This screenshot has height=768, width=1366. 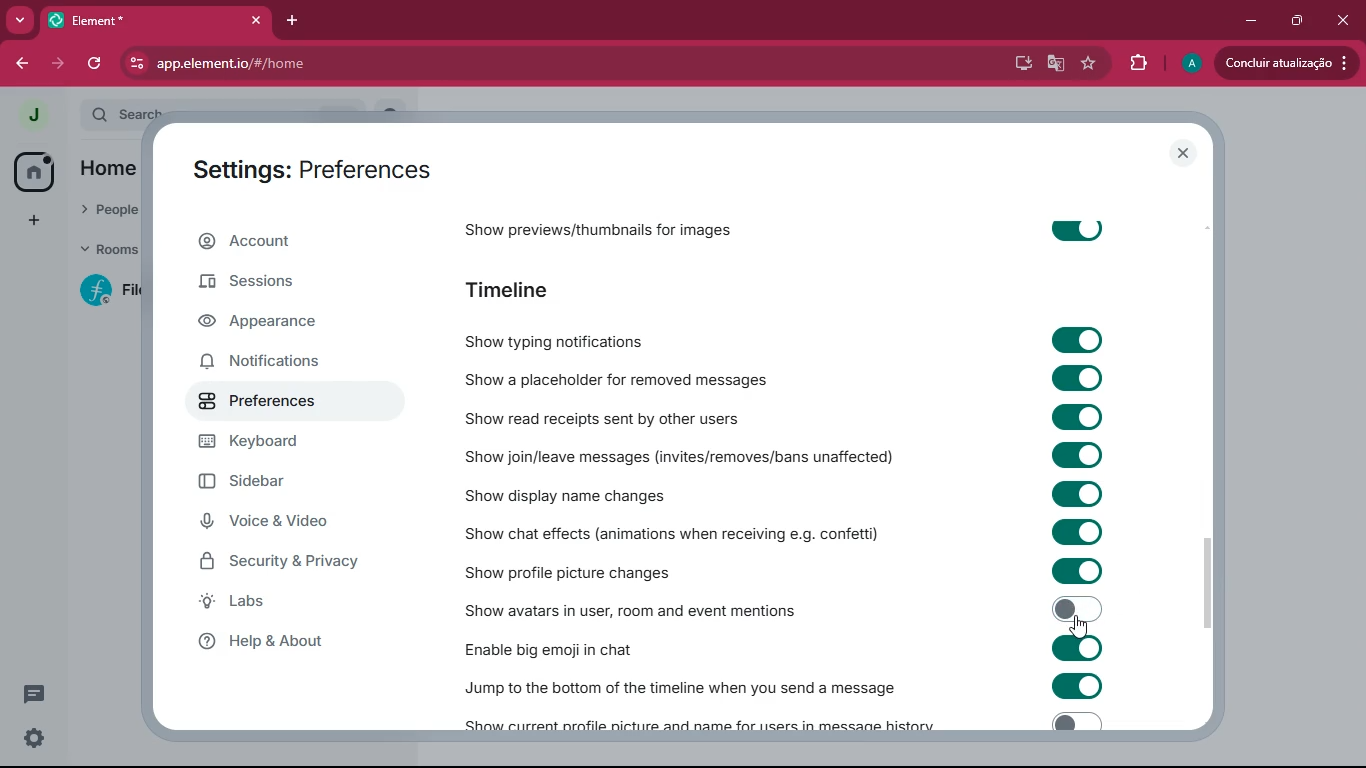 I want to click on show display name changes, so click(x=571, y=495).